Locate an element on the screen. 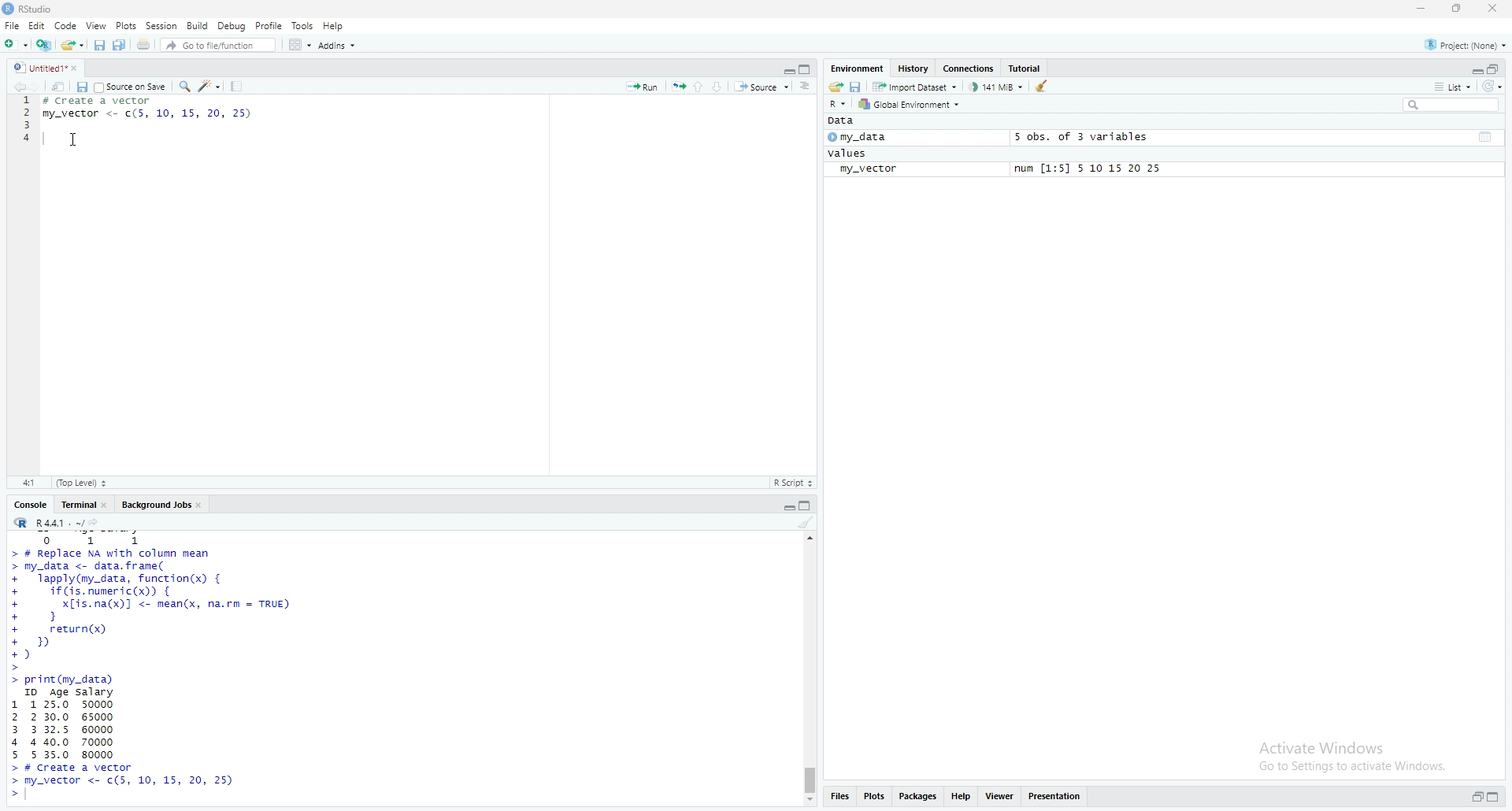 This screenshot has width=1512, height=811. collapse is located at coordinates (807, 69).